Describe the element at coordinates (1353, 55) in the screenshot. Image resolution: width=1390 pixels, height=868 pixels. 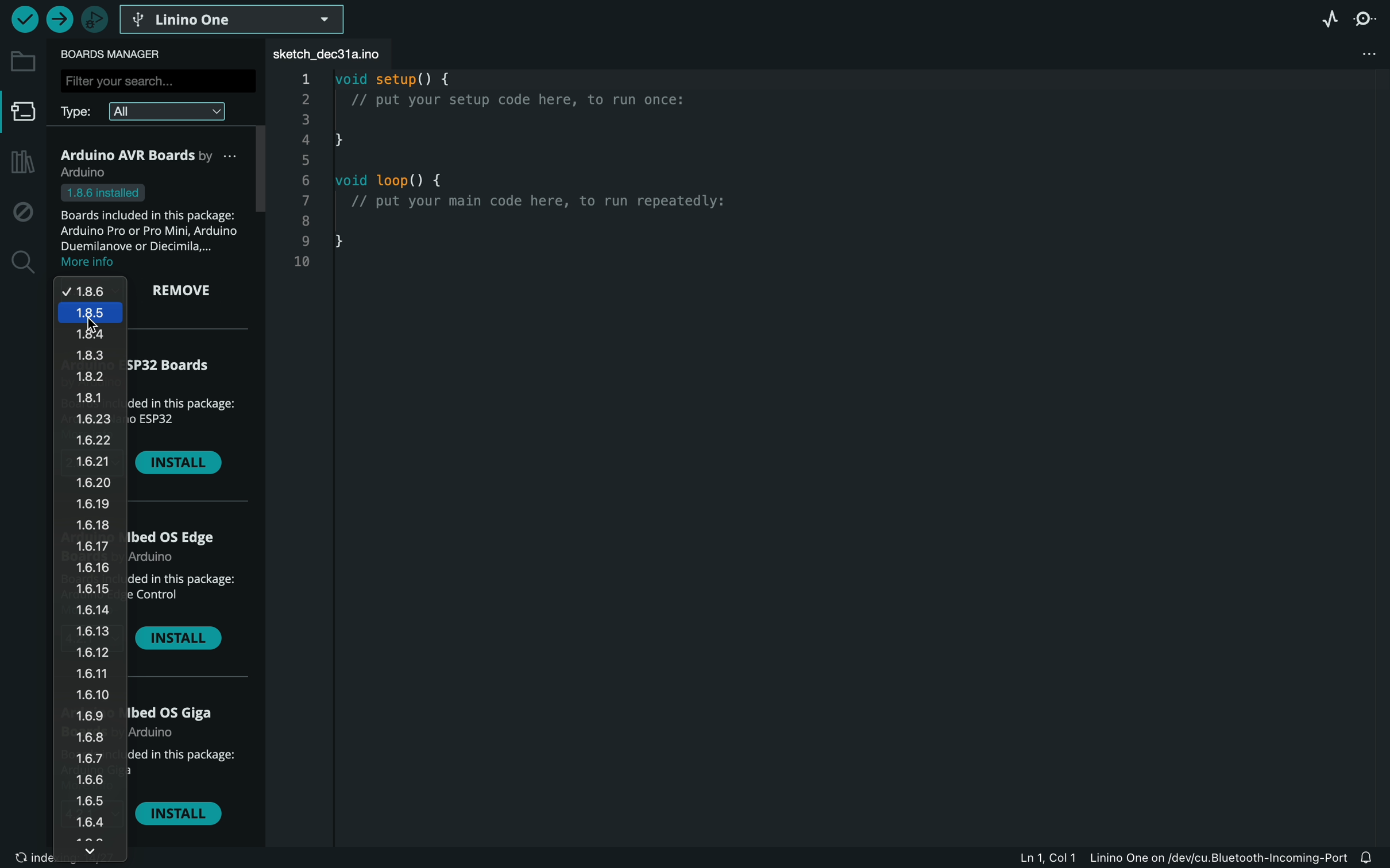
I see `file setting` at that location.